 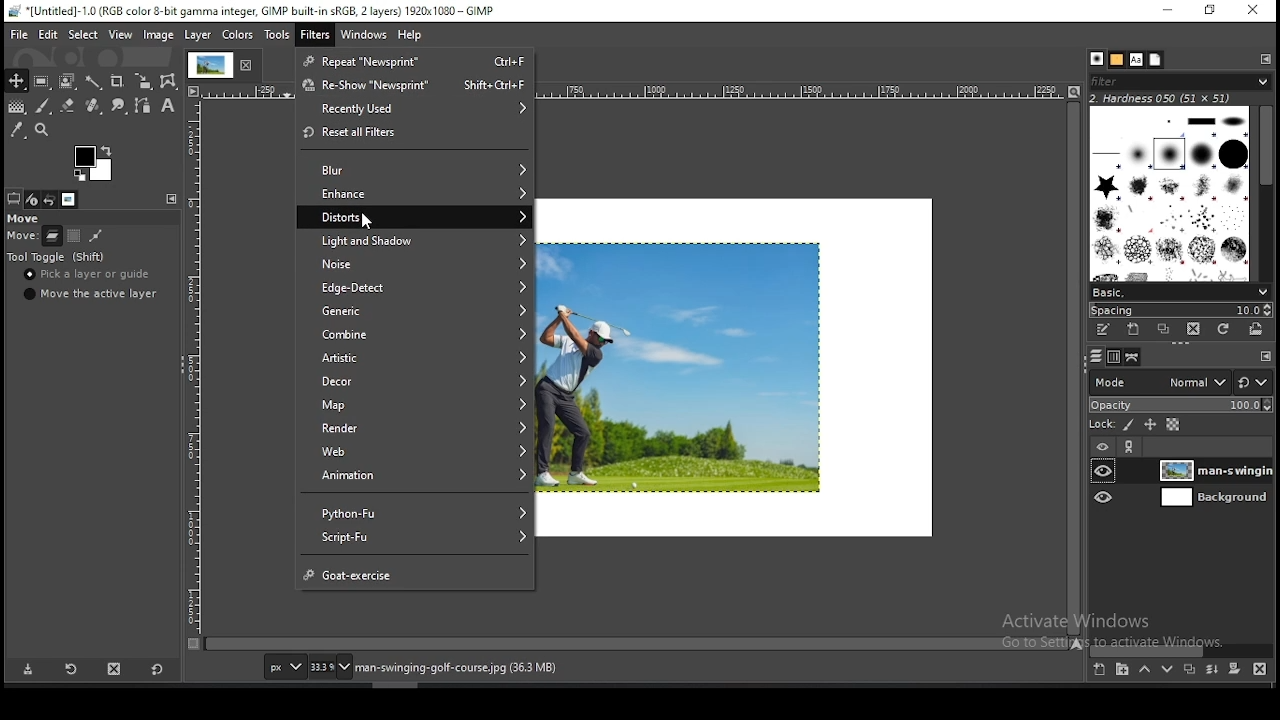 I want to click on hardness 050 (51x51), so click(x=1168, y=99).